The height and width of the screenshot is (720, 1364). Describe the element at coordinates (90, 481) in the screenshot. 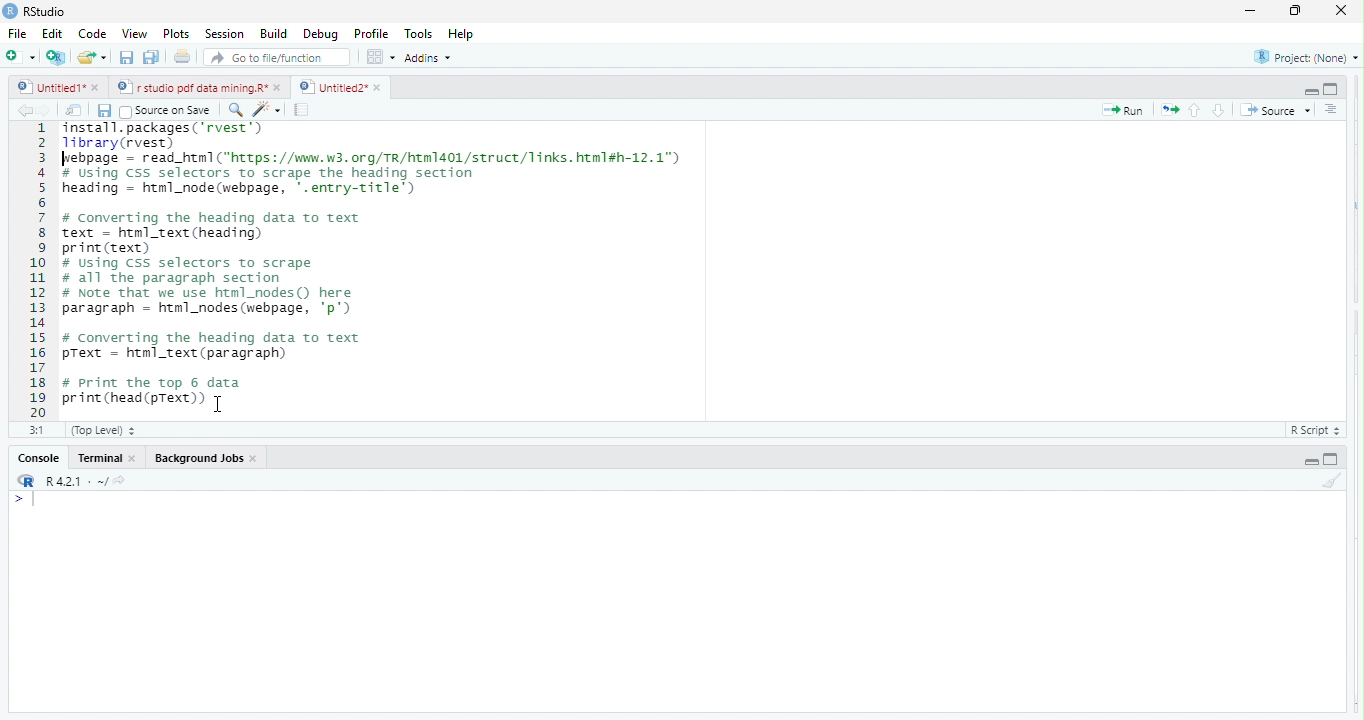

I see ` R421: ~/` at that location.